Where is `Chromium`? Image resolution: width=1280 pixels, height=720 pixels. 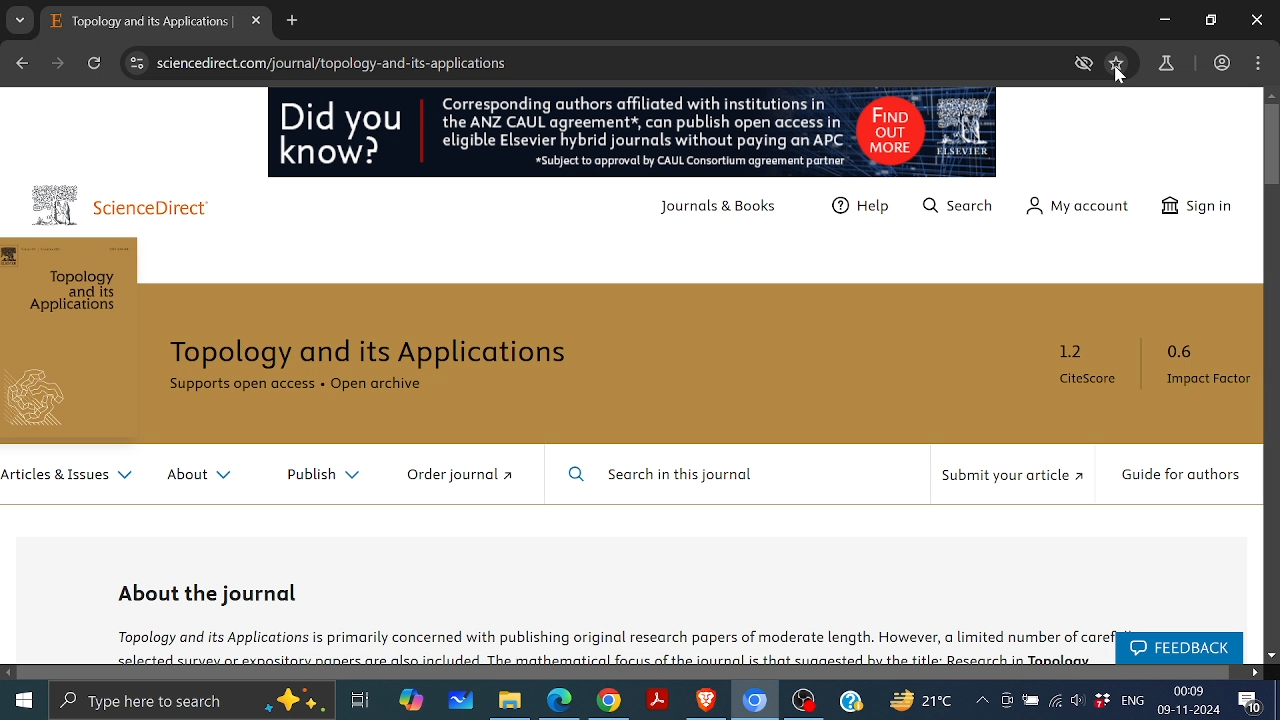
Chromium is located at coordinates (755, 701).